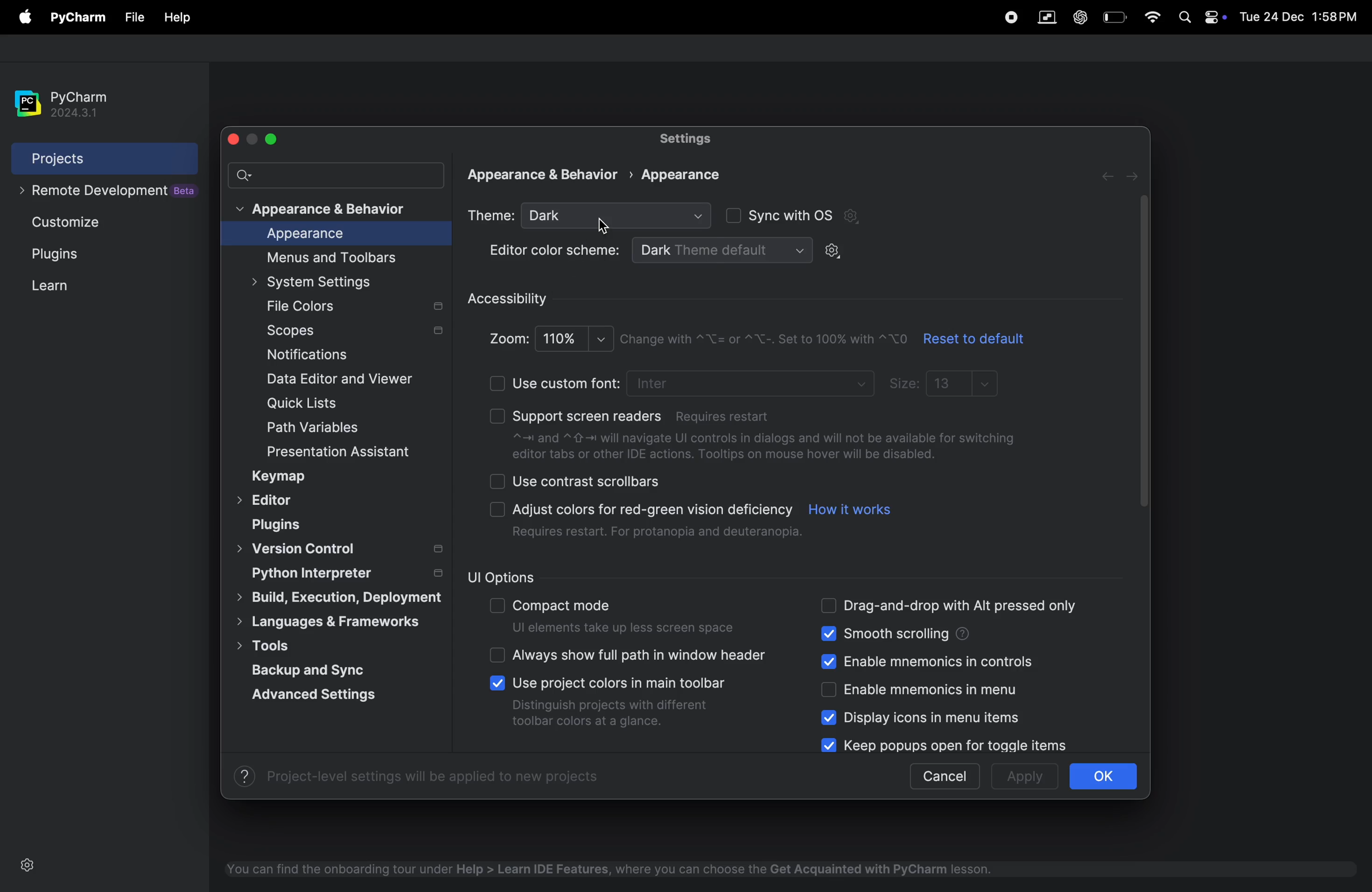 The image size is (1372, 892). Describe the element at coordinates (624, 214) in the screenshot. I see `Dark` at that location.